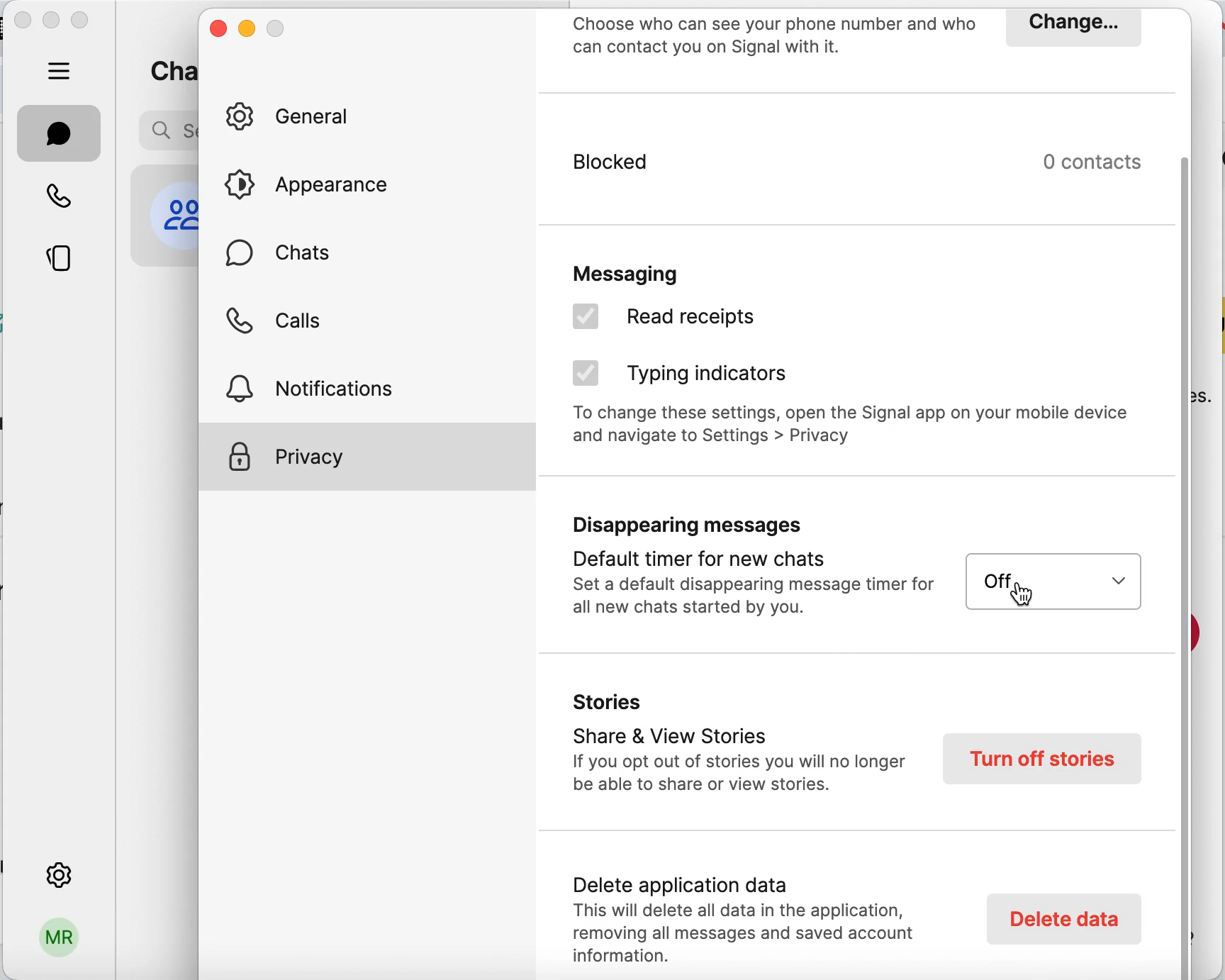  What do you see at coordinates (1017, 600) in the screenshot?
I see `cursor` at bounding box center [1017, 600].